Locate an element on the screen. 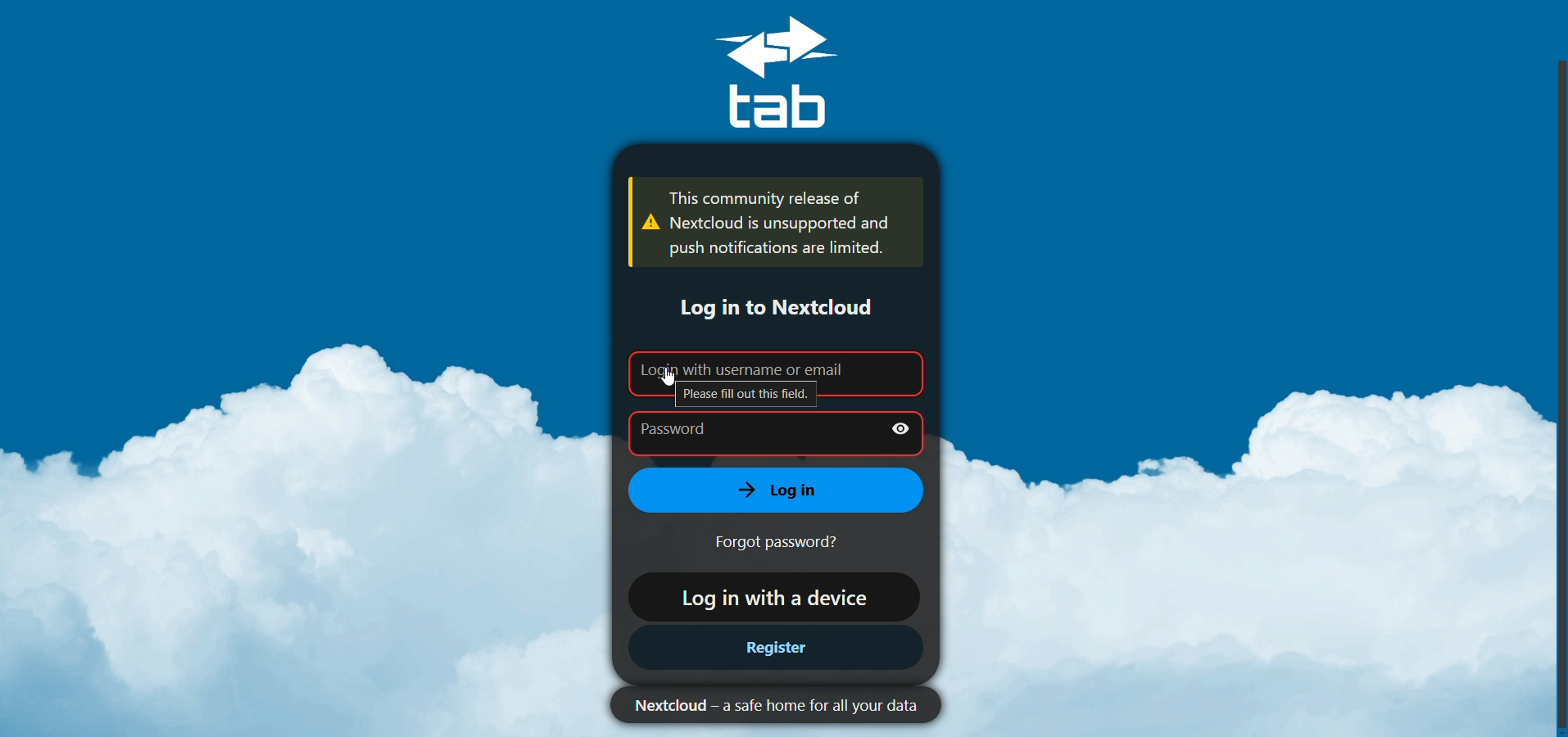 This screenshot has height=737, width=1568. Register is located at coordinates (774, 649).